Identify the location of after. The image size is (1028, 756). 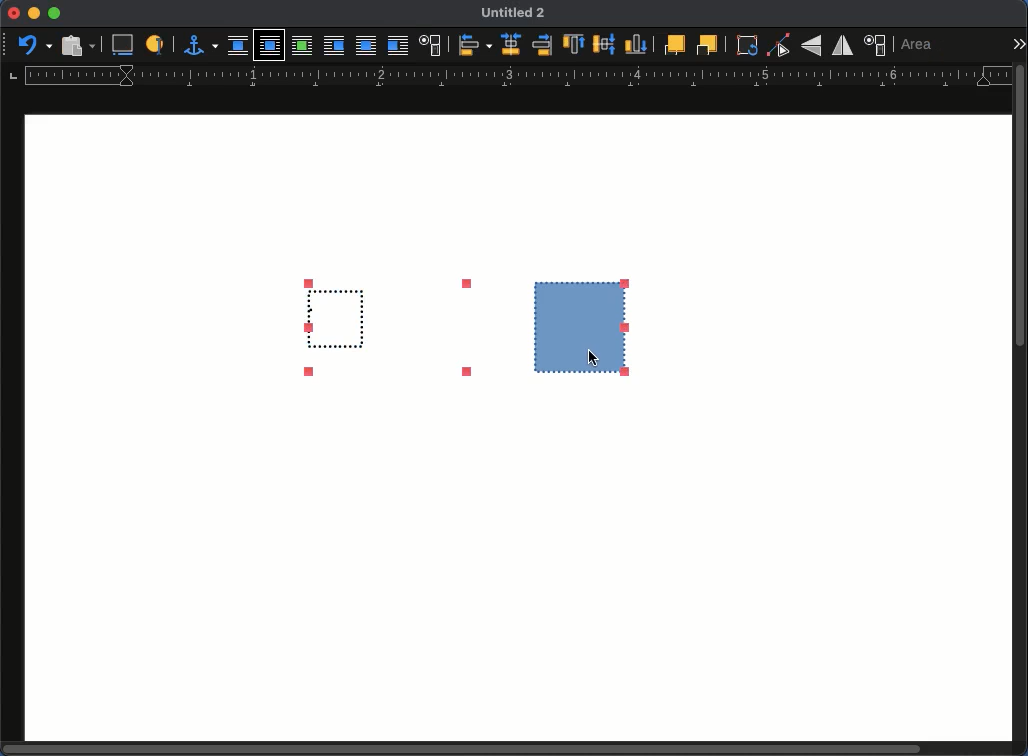
(398, 46).